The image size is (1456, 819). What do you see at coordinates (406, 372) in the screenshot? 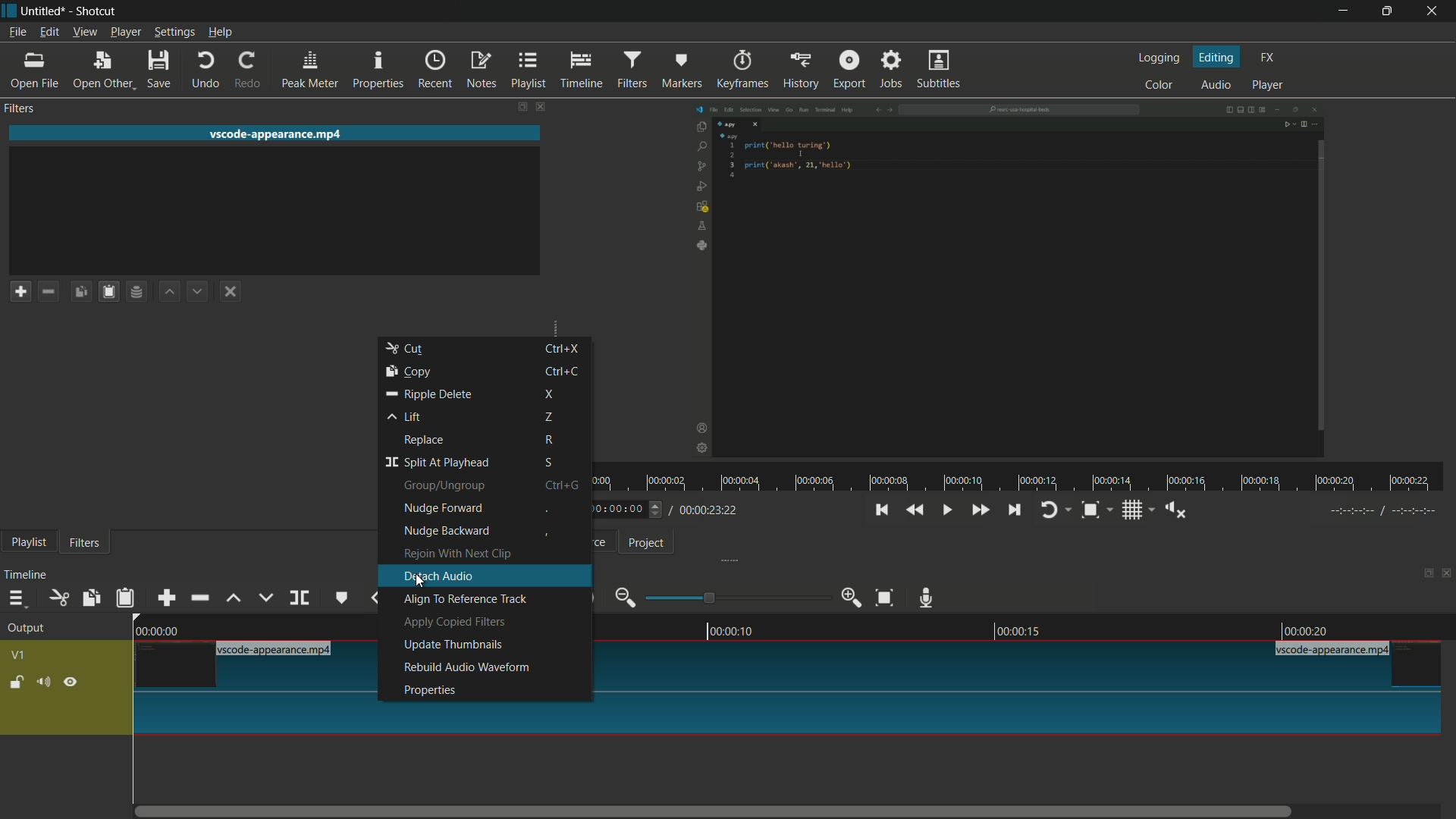
I see `copy` at bounding box center [406, 372].